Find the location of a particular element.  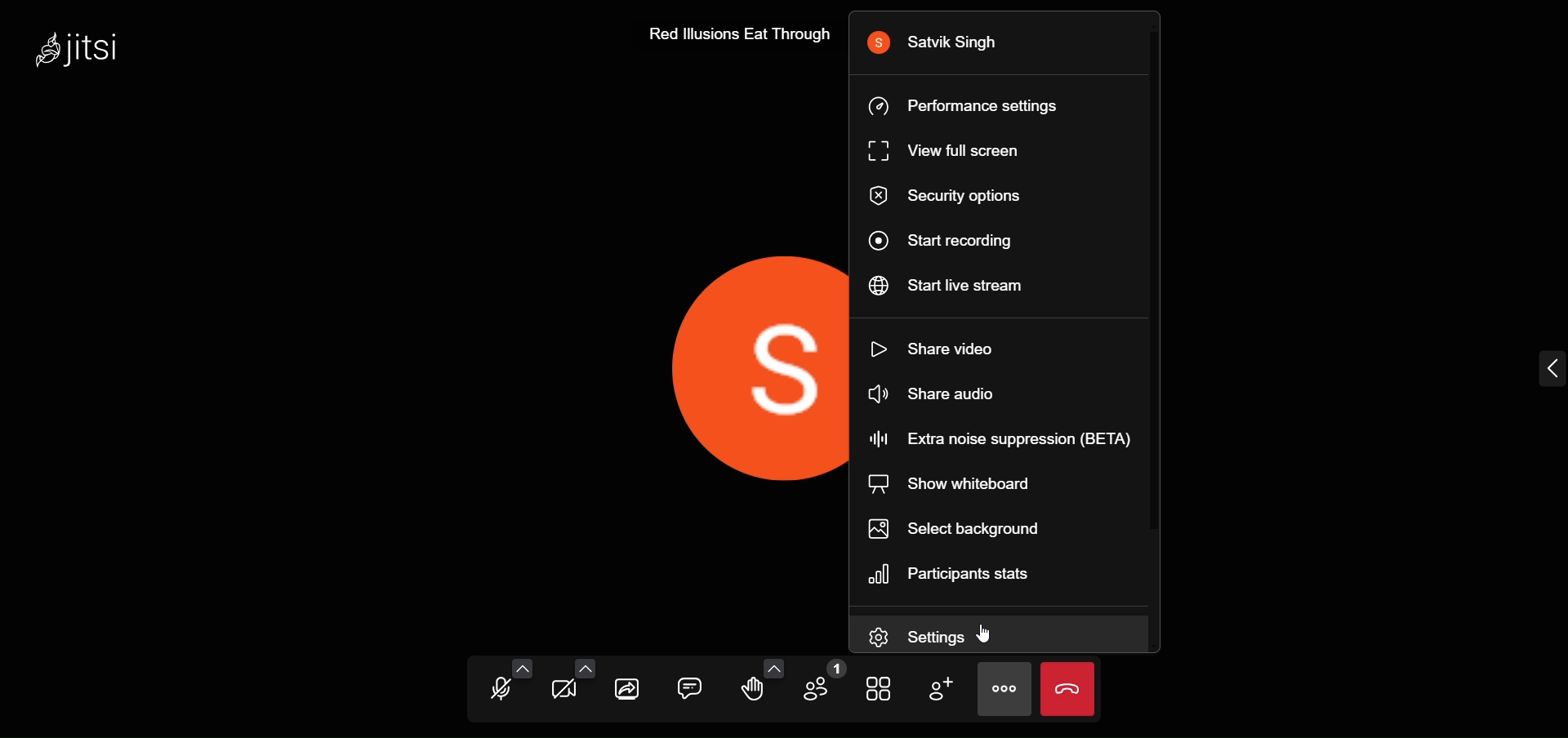

jitsi is located at coordinates (89, 47).